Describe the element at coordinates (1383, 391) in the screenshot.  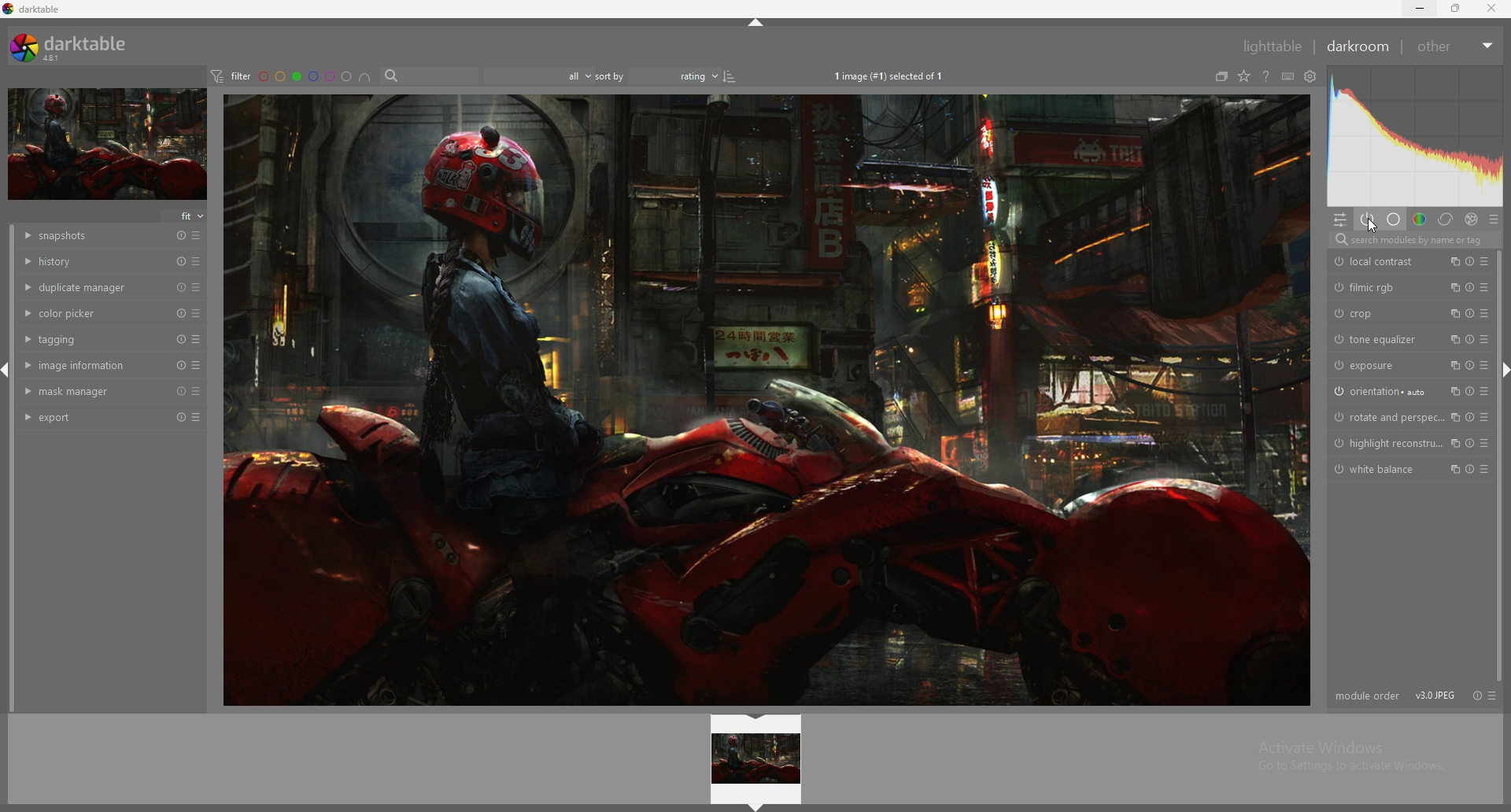
I see `orientation` at that location.